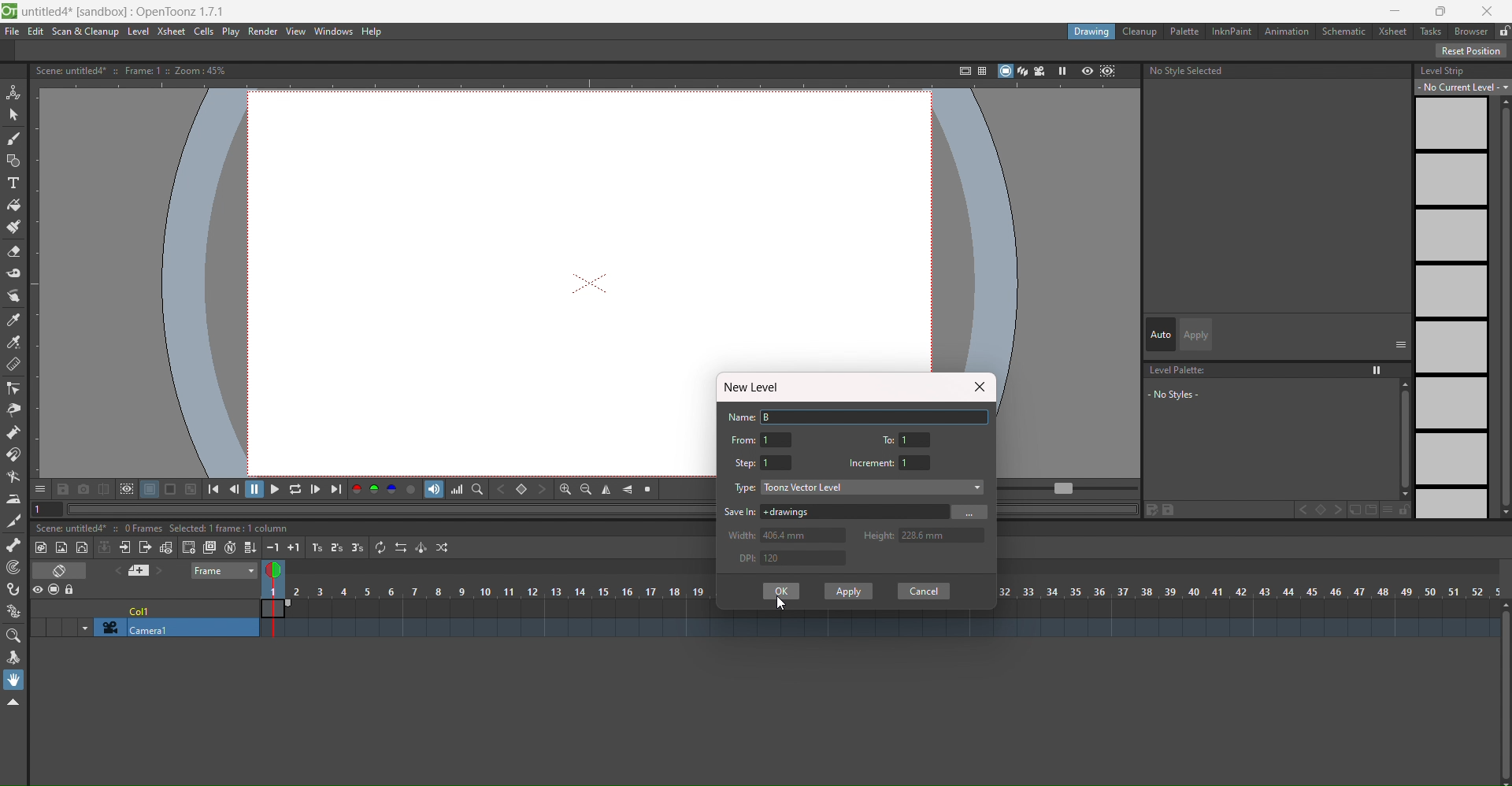 This screenshot has height=786, width=1512. What do you see at coordinates (969, 511) in the screenshot?
I see `Browse` at bounding box center [969, 511].